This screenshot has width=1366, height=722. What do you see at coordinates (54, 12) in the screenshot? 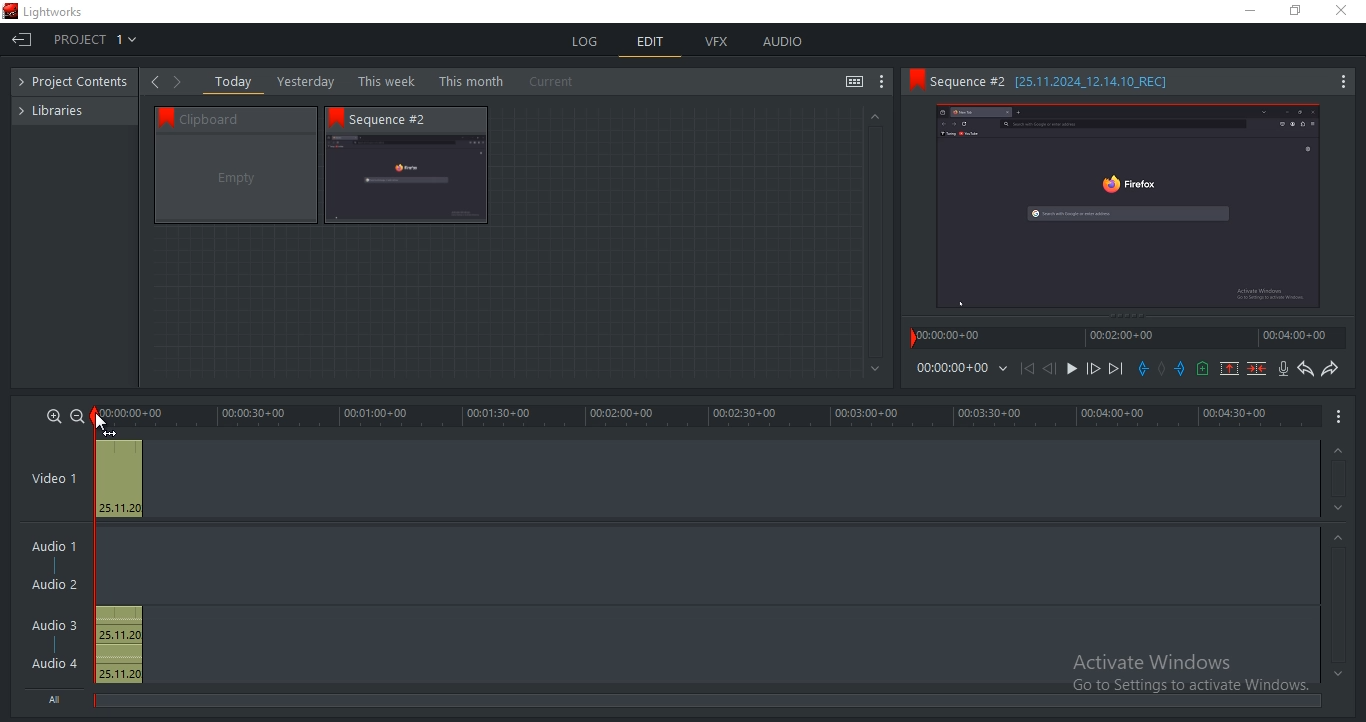
I see `Lightworks` at bounding box center [54, 12].